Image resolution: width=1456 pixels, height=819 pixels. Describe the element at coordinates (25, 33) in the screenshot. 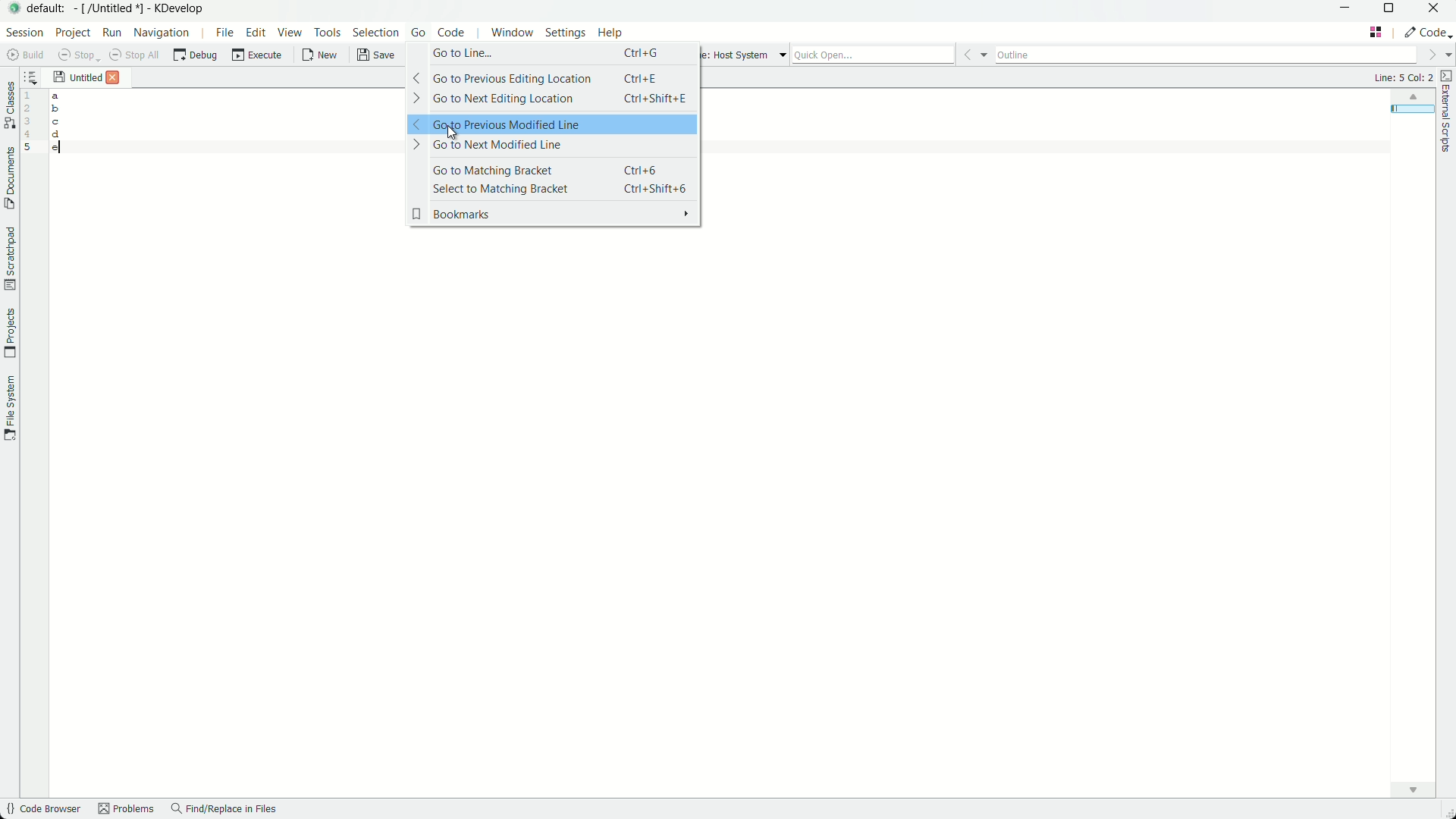

I see `session` at that location.